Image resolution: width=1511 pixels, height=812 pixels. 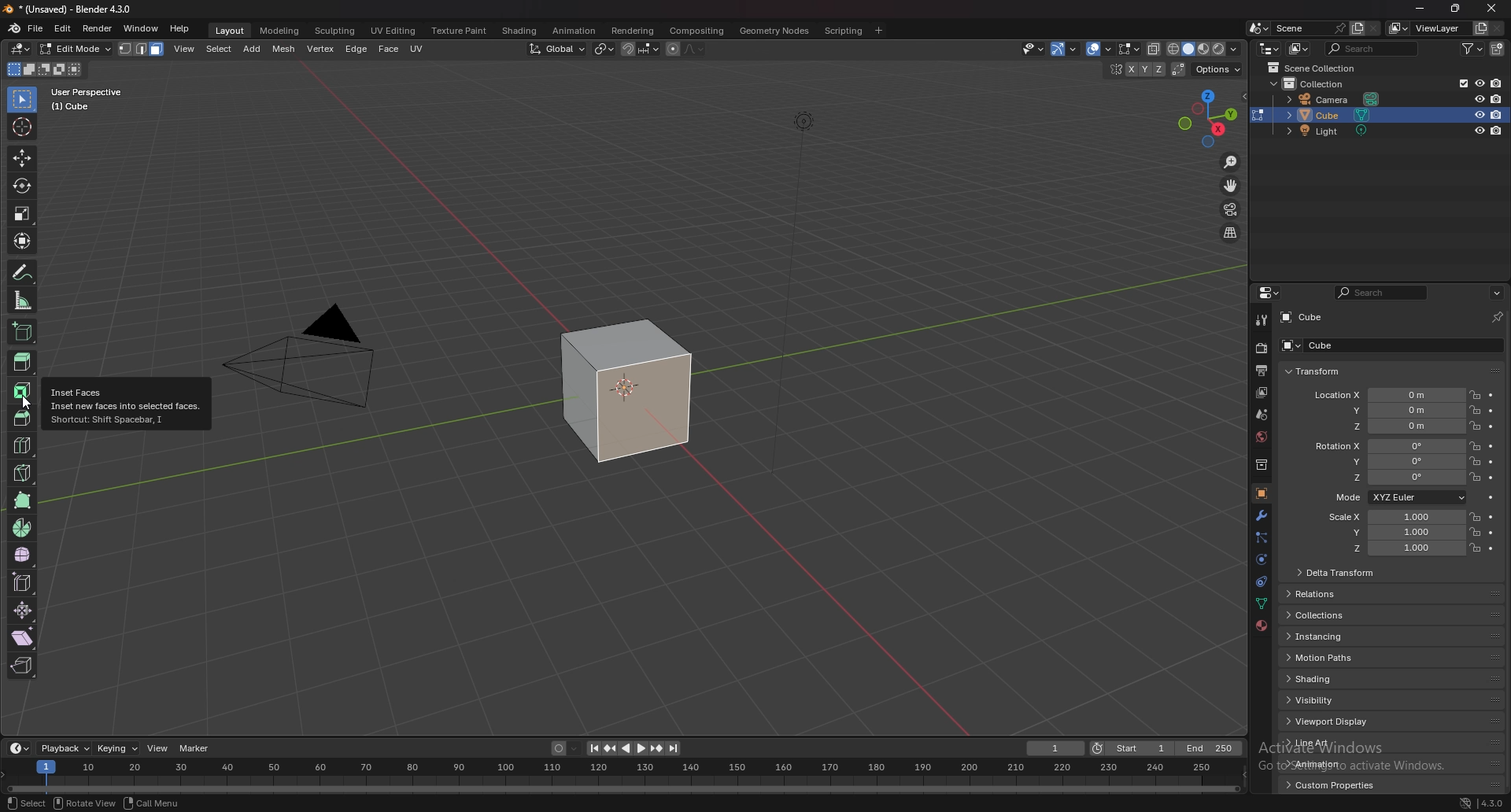 What do you see at coordinates (314, 371) in the screenshot?
I see `pyramid` at bounding box center [314, 371].